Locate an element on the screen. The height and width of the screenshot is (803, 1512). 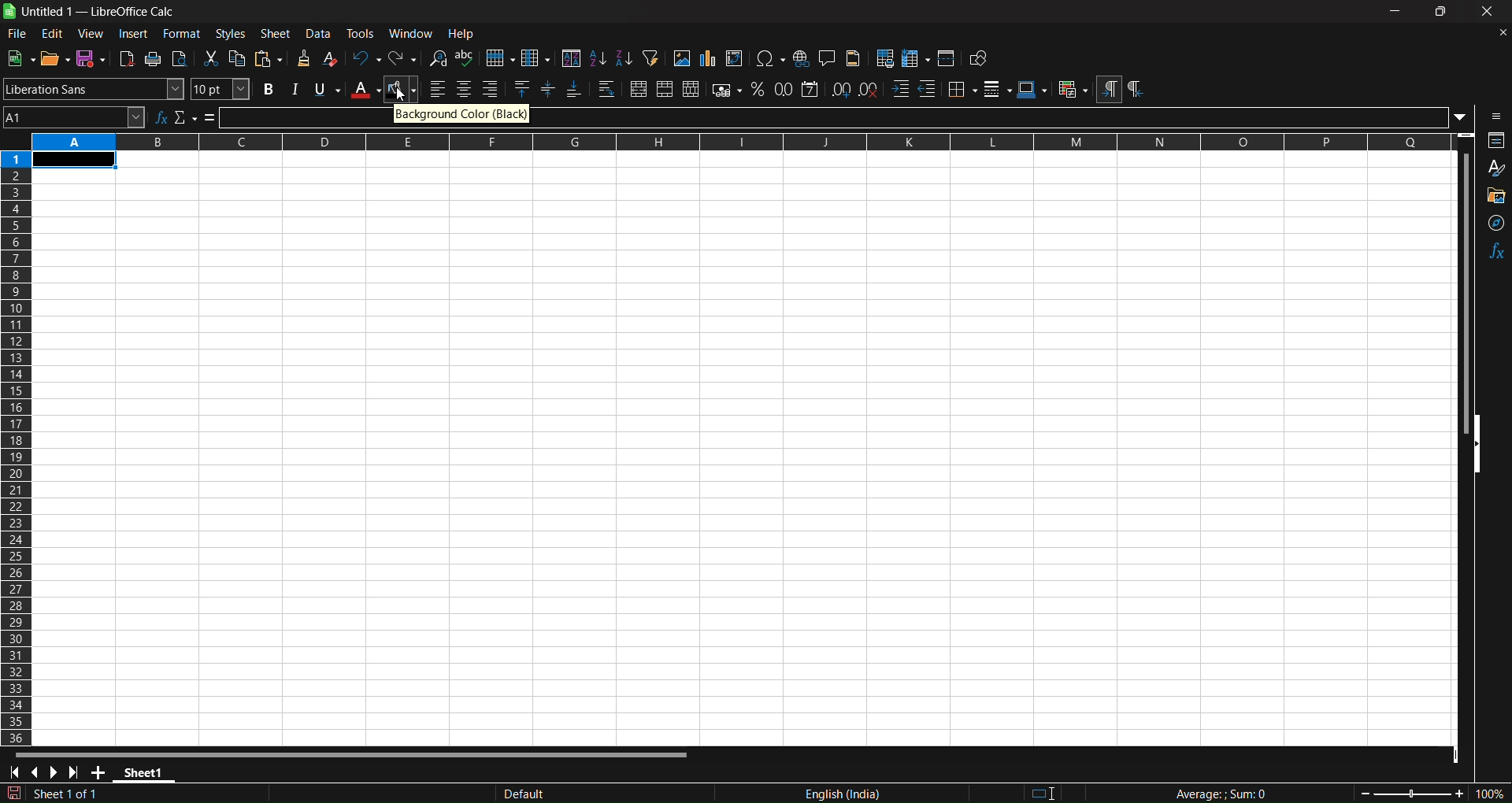
properties is located at coordinates (1493, 141).